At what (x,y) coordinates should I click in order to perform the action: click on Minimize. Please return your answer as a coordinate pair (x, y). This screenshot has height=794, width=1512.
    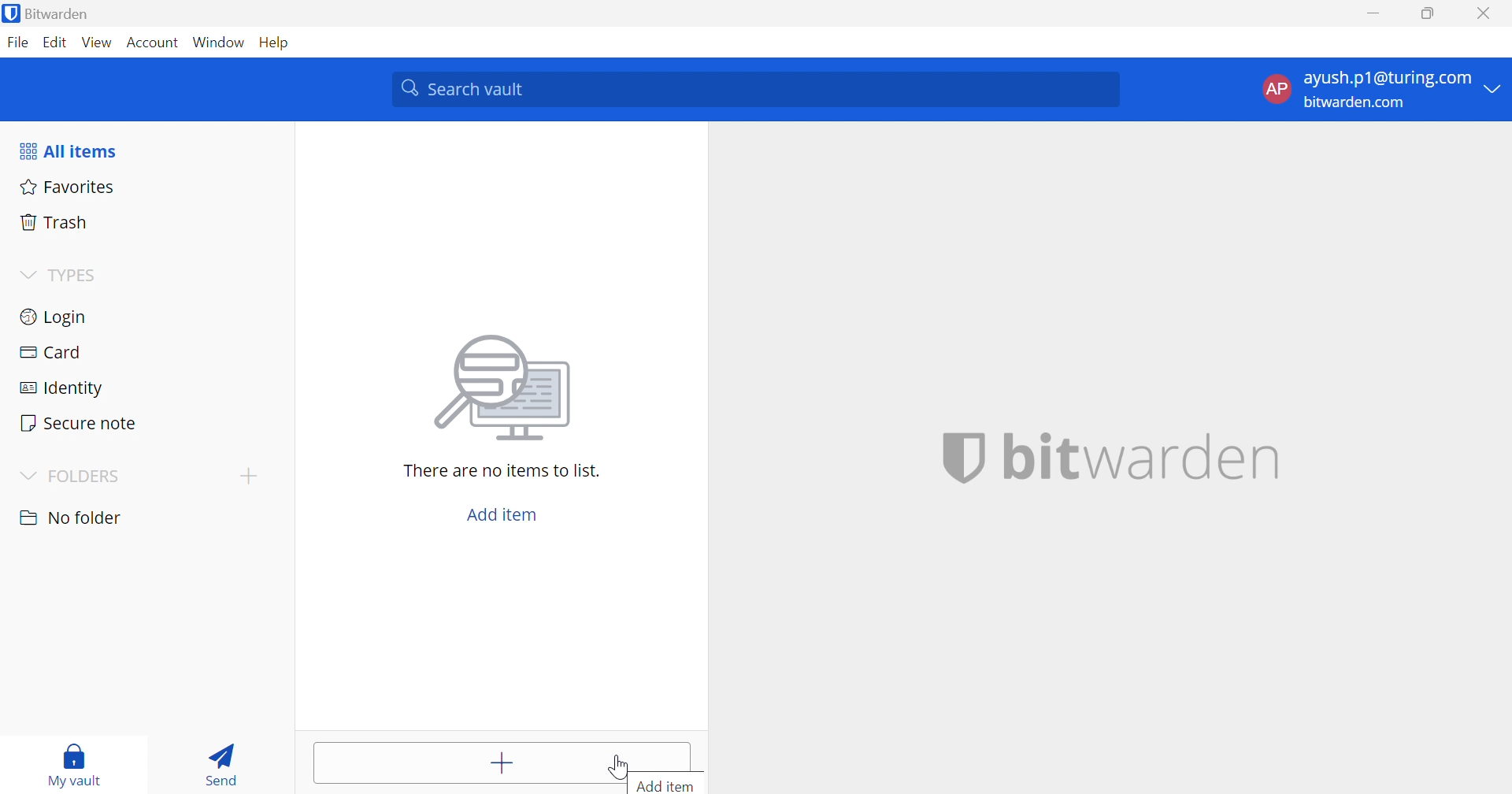
    Looking at the image, I should click on (1373, 14).